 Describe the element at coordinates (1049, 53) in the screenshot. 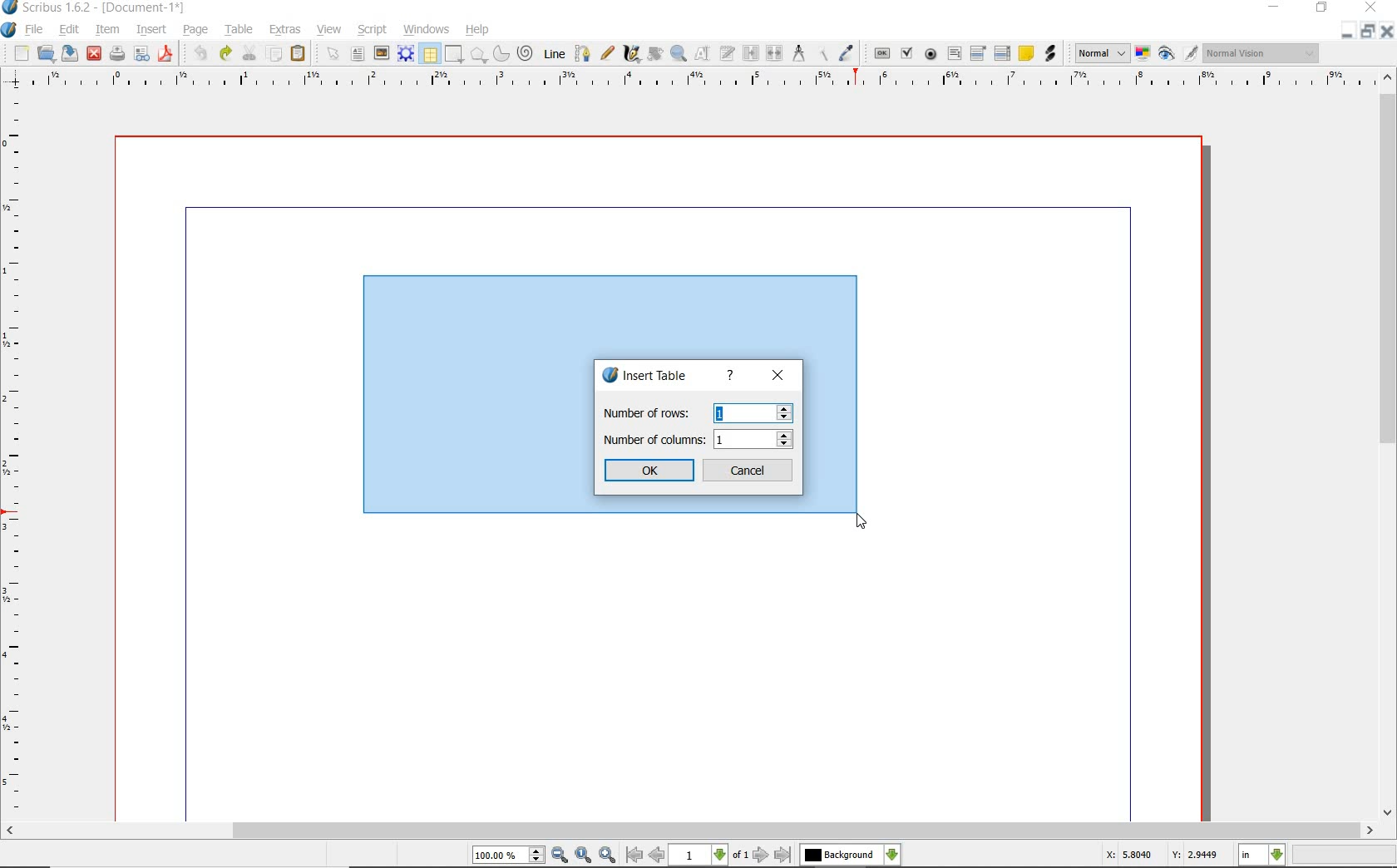

I see `link annotation` at that location.